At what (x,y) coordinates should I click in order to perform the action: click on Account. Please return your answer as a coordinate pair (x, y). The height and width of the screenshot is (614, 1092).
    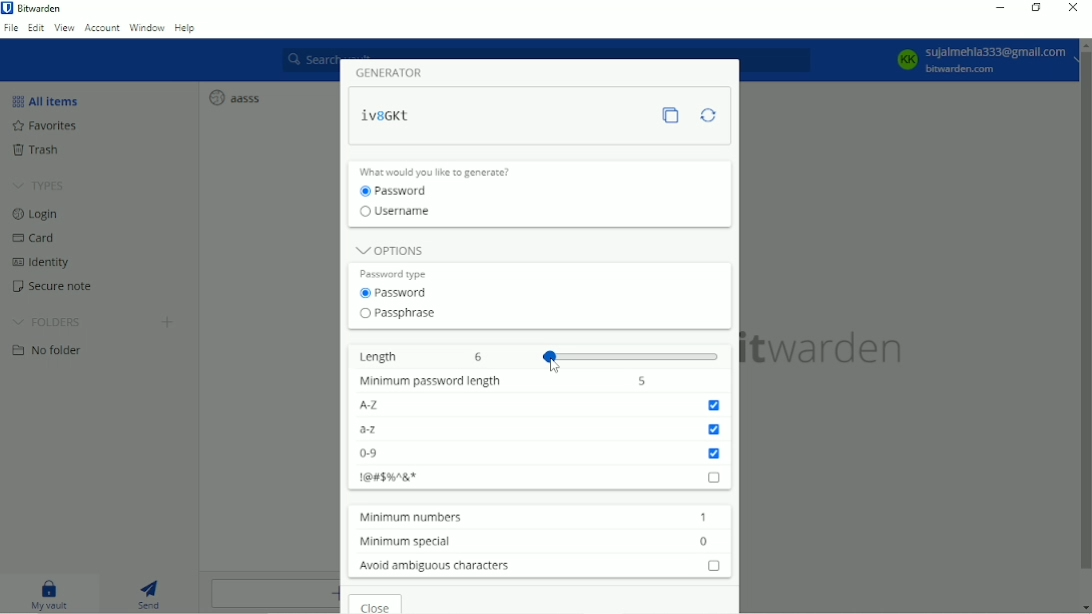
    Looking at the image, I should click on (978, 61).